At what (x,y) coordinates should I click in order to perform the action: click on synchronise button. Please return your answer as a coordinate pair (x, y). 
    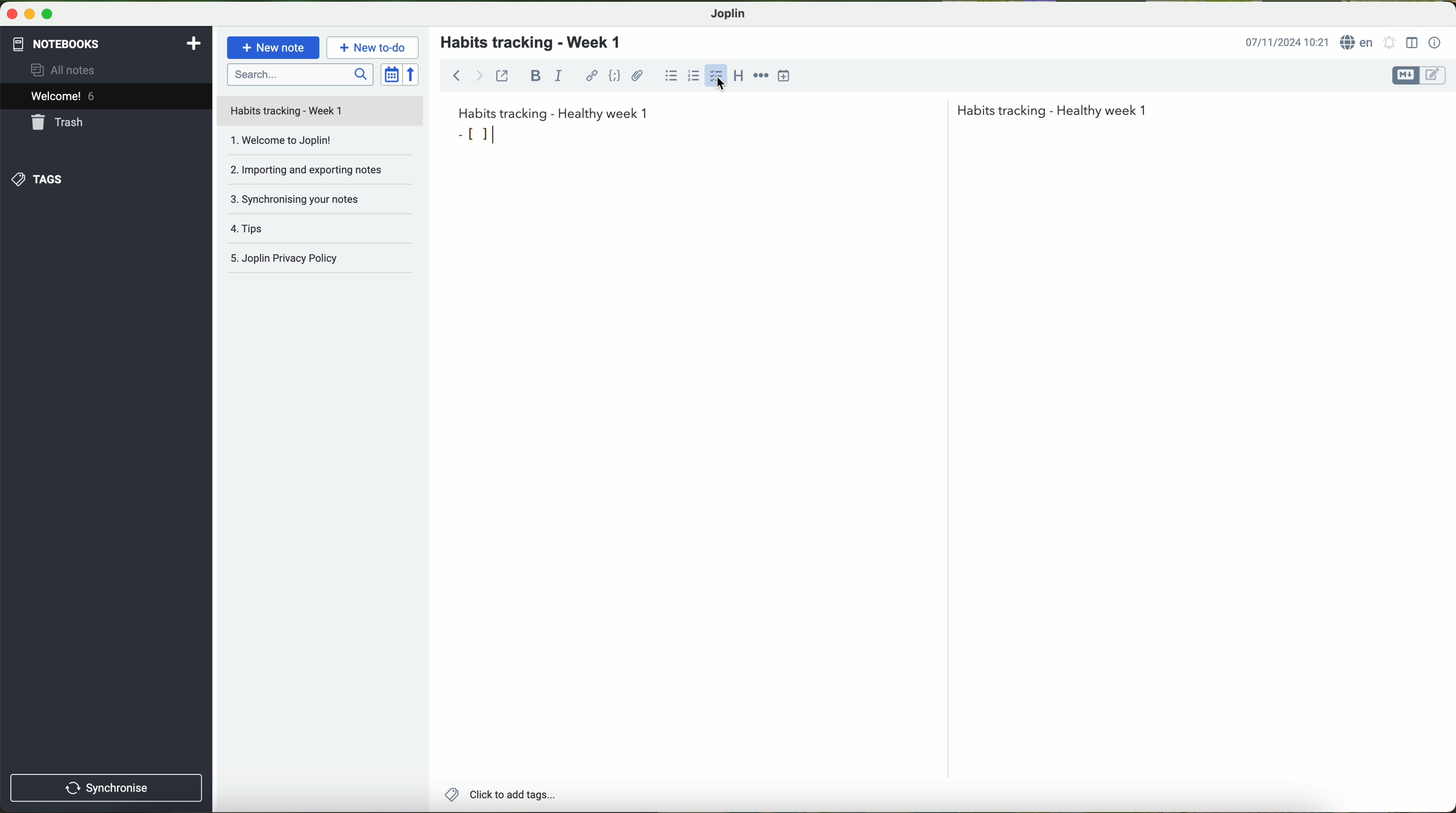
    Looking at the image, I should click on (107, 788).